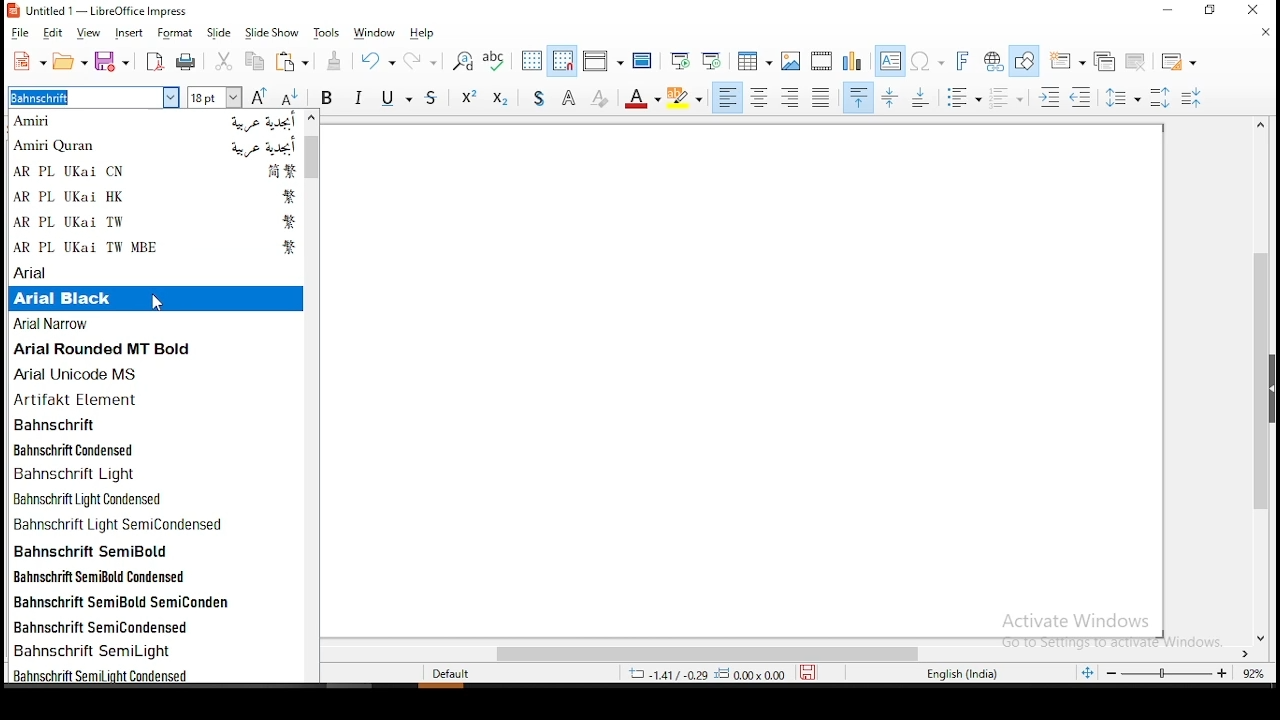 This screenshot has height=720, width=1280. Describe the element at coordinates (380, 63) in the screenshot. I see `undo` at that location.